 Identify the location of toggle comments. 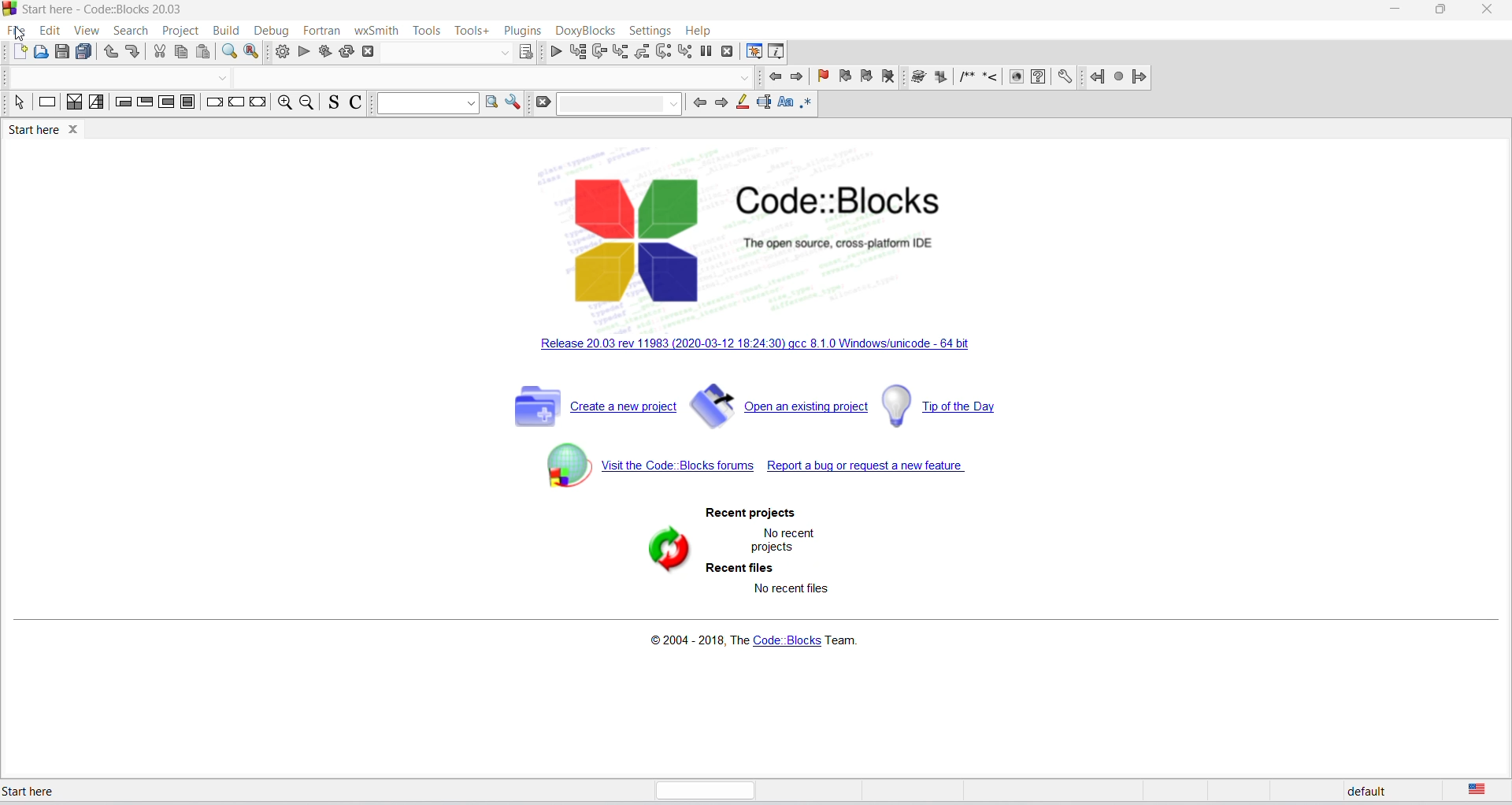
(357, 103).